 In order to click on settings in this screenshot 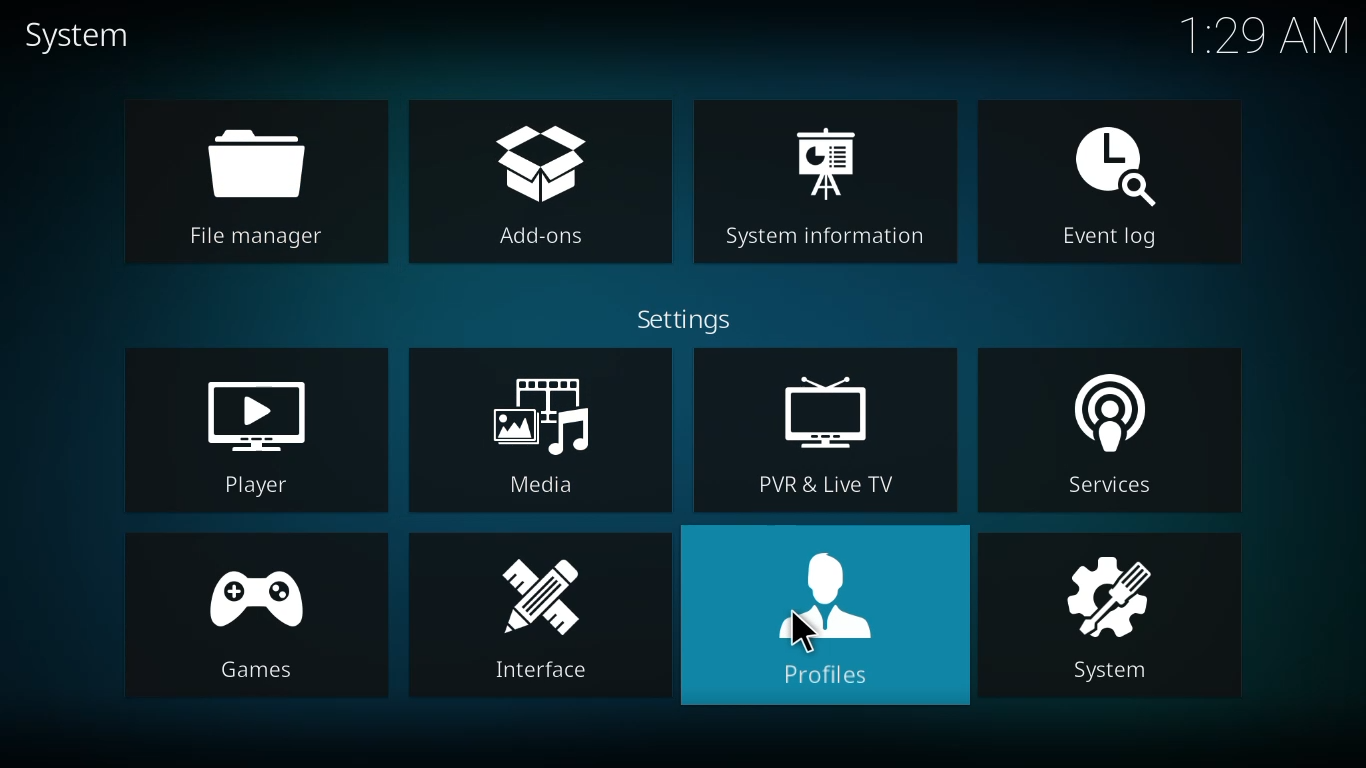, I will do `click(679, 319)`.